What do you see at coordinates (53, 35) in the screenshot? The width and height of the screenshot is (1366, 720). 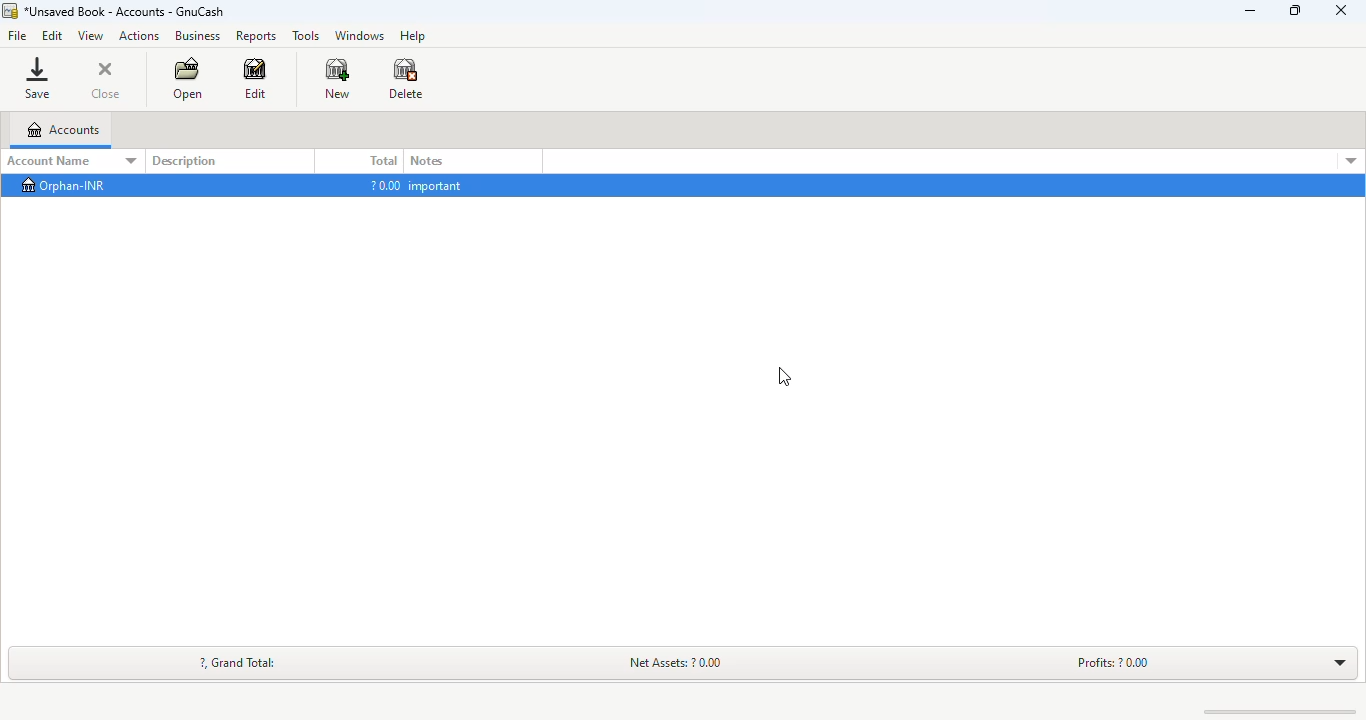 I see `edit` at bounding box center [53, 35].